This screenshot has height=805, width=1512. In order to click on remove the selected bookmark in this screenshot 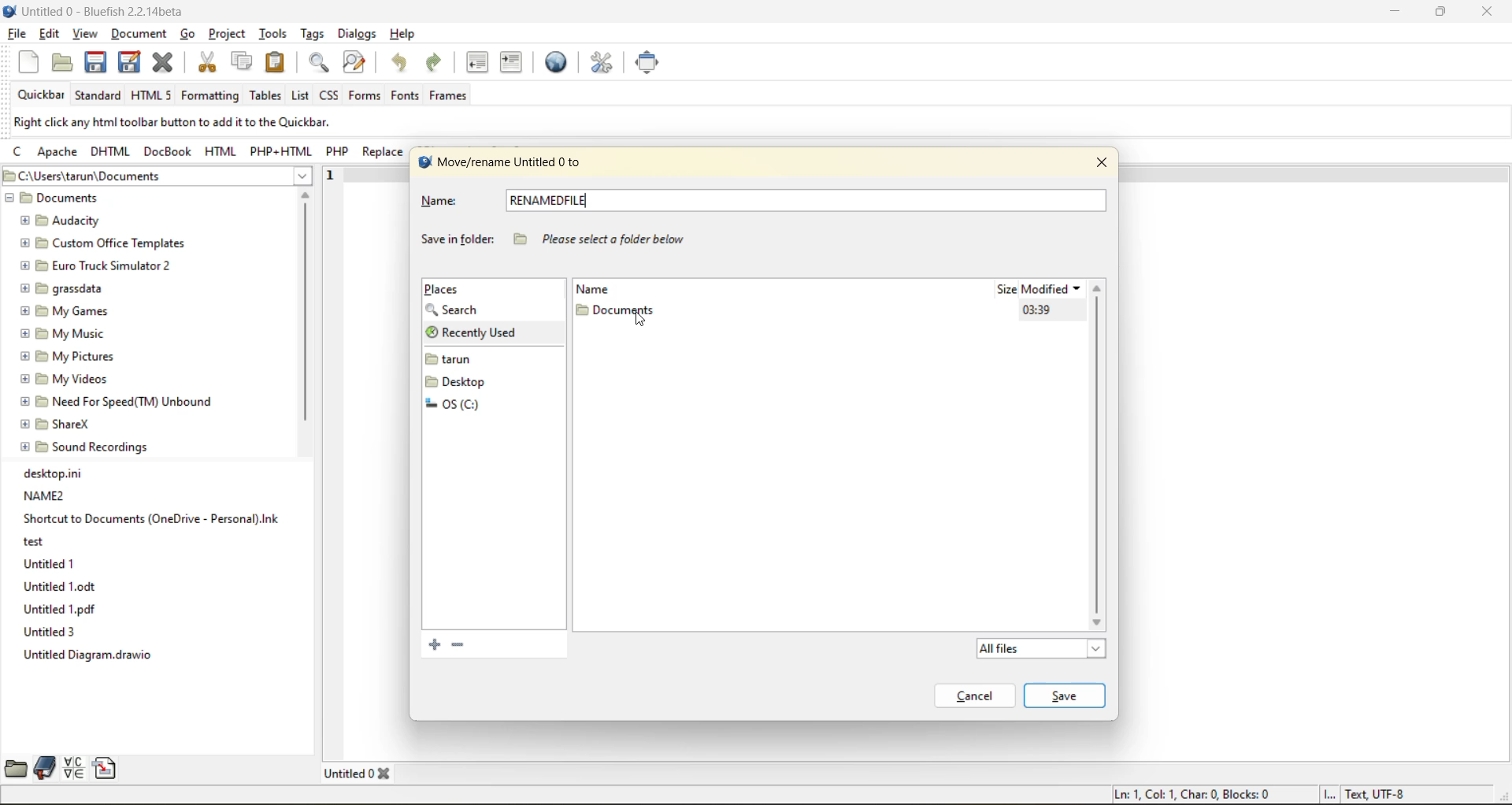, I will do `click(457, 647)`.